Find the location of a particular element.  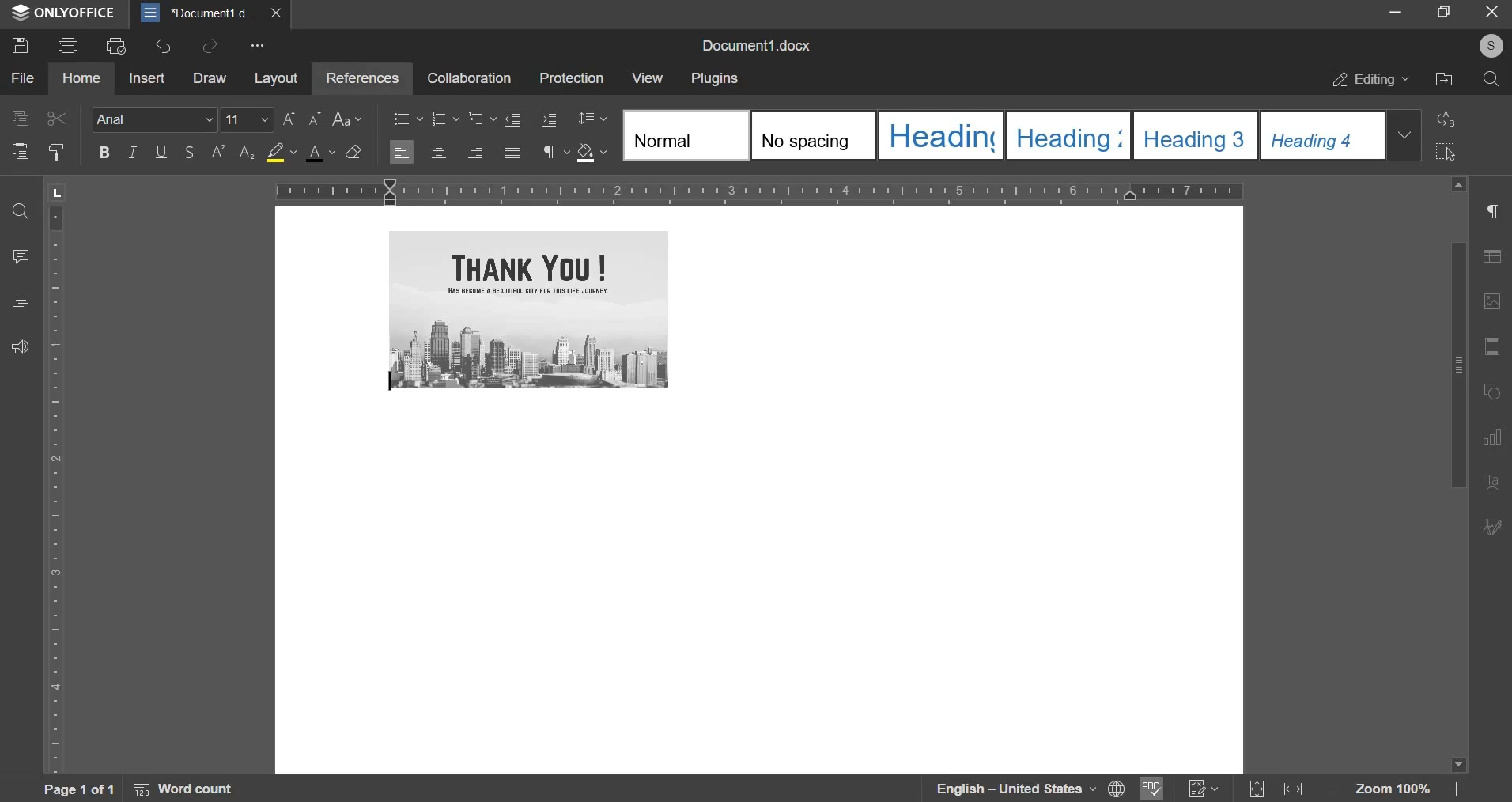

exit is located at coordinates (1493, 13).